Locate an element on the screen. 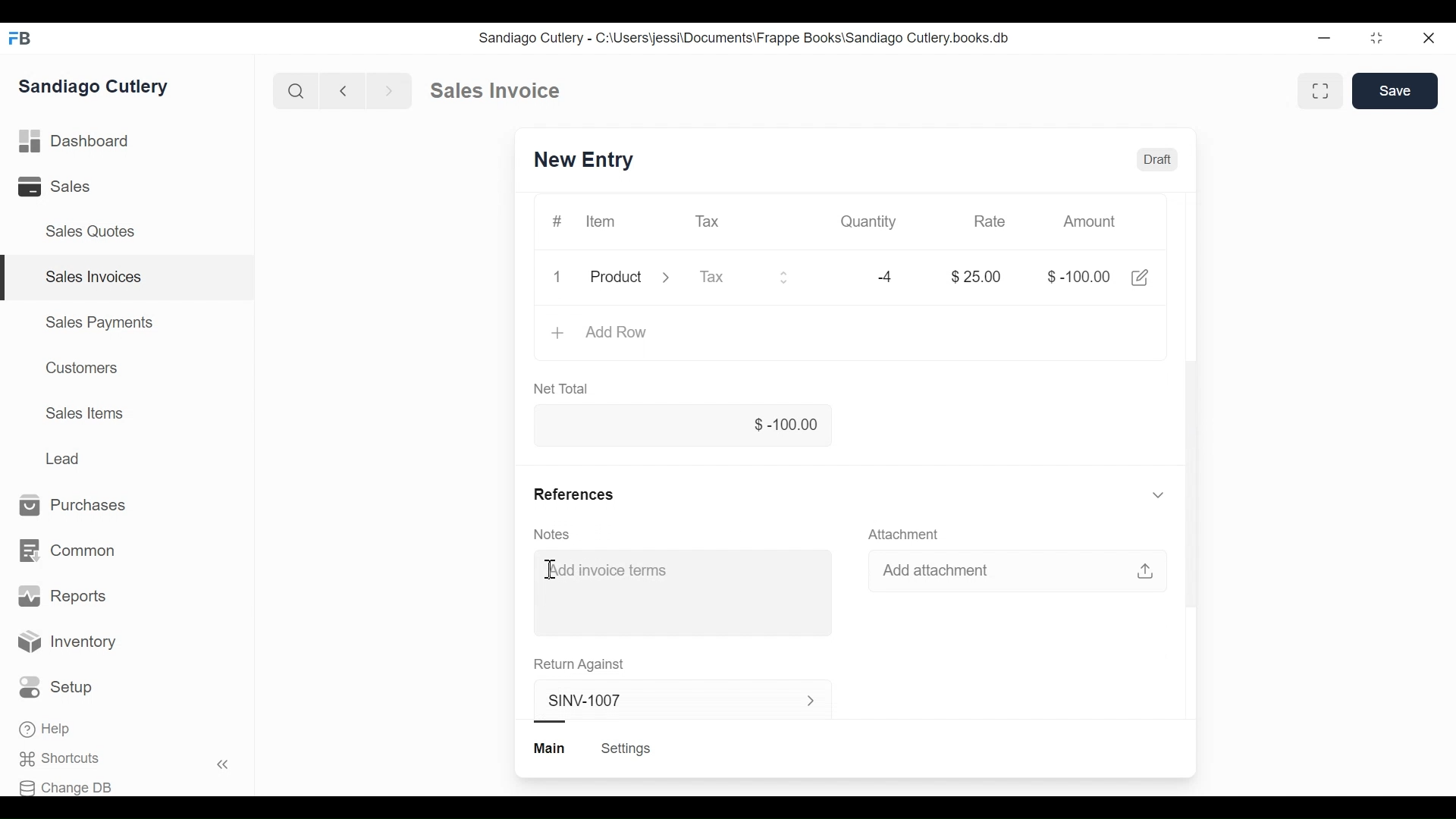 This screenshot has width=1456, height=819. Purchases is located at coordinates (73, 504).